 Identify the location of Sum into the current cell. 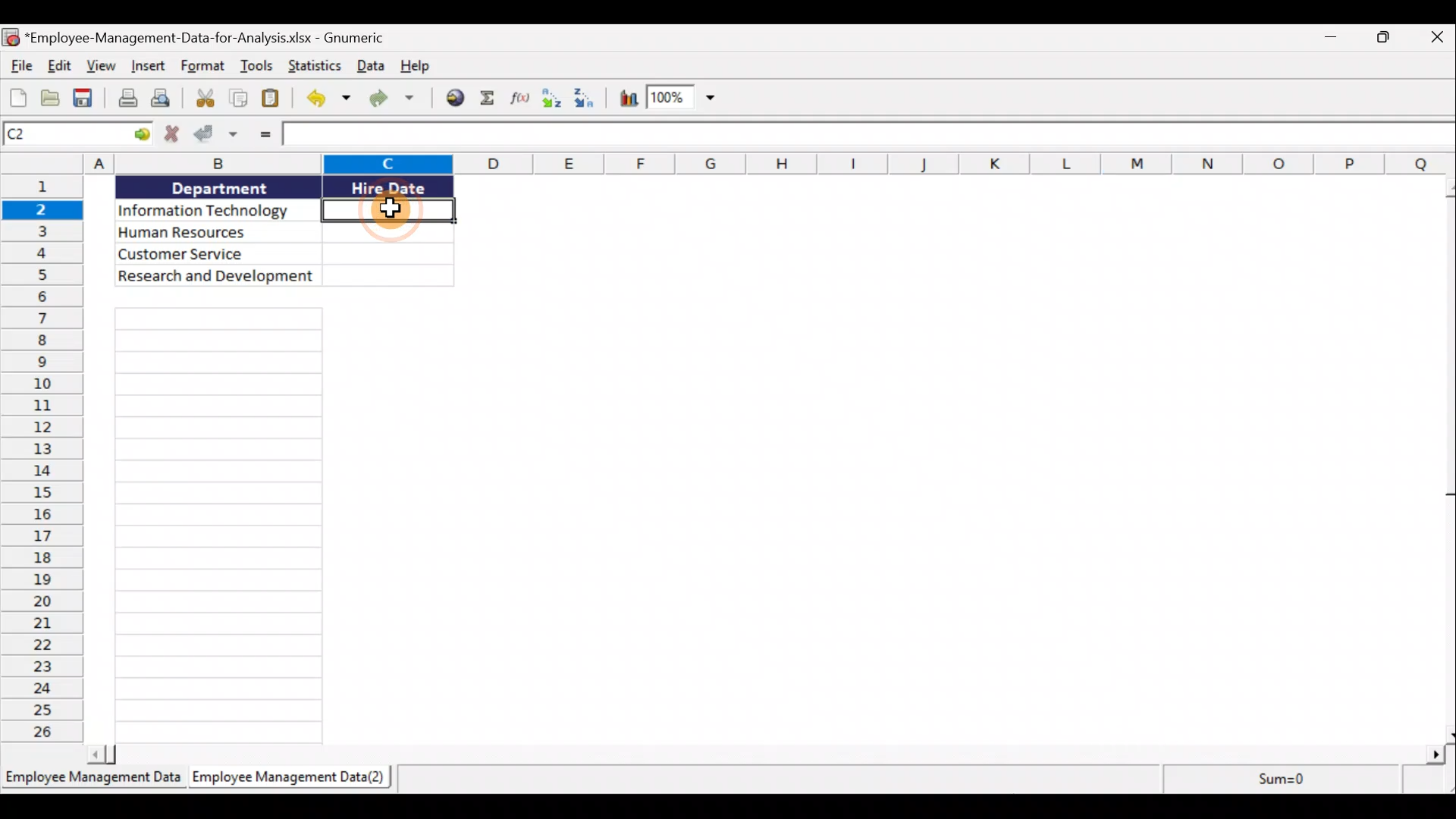
(492, 98).